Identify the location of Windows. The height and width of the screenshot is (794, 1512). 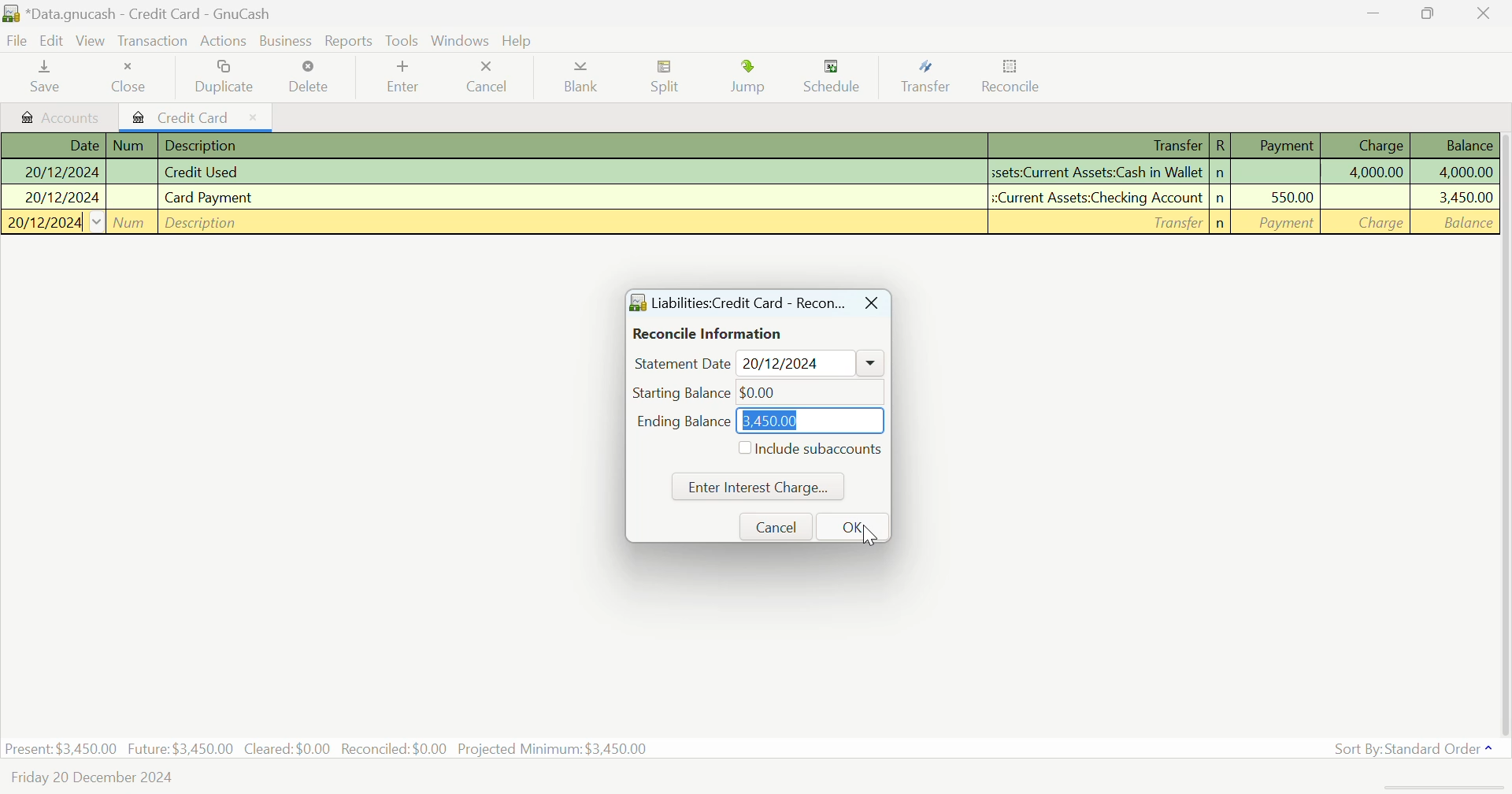
(460, 39).